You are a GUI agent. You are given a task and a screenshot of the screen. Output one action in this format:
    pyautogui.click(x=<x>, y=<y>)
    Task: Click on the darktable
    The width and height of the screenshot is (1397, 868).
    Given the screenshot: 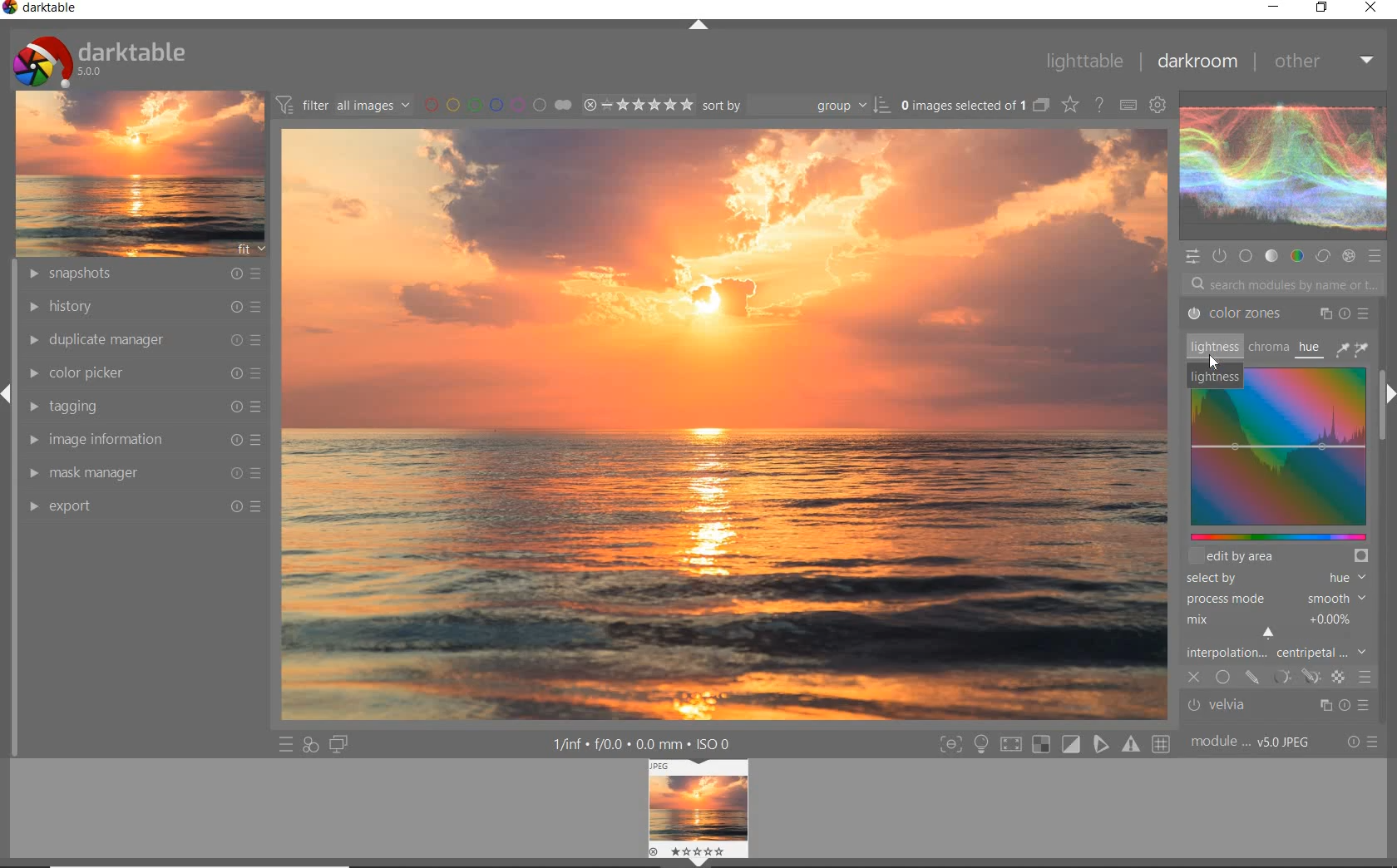 What is the action you would take?
    pyautogui.click(x=42, y=9)
    